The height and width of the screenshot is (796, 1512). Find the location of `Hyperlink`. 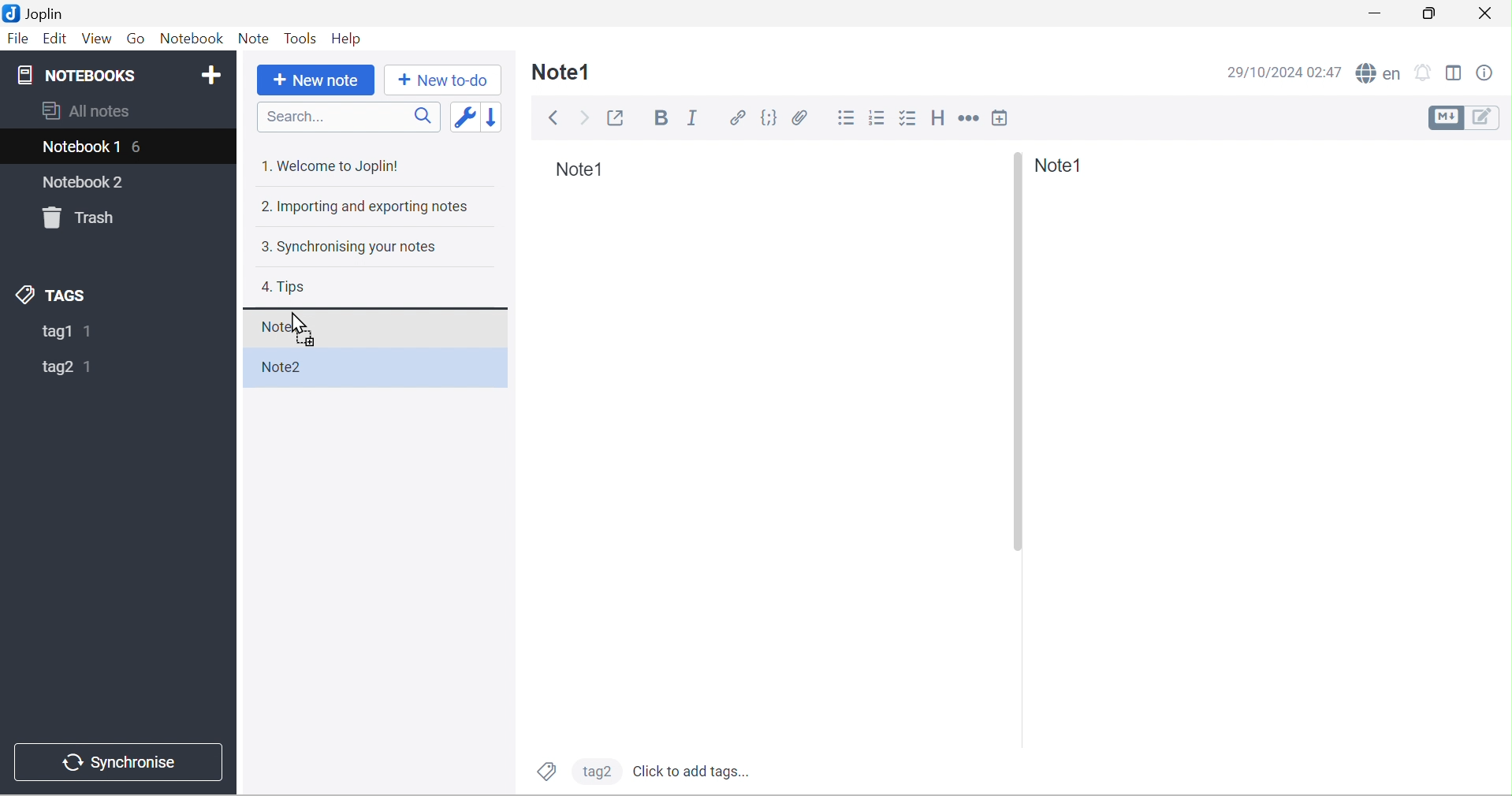

Hyperlink is located at coordinates (734, 120).